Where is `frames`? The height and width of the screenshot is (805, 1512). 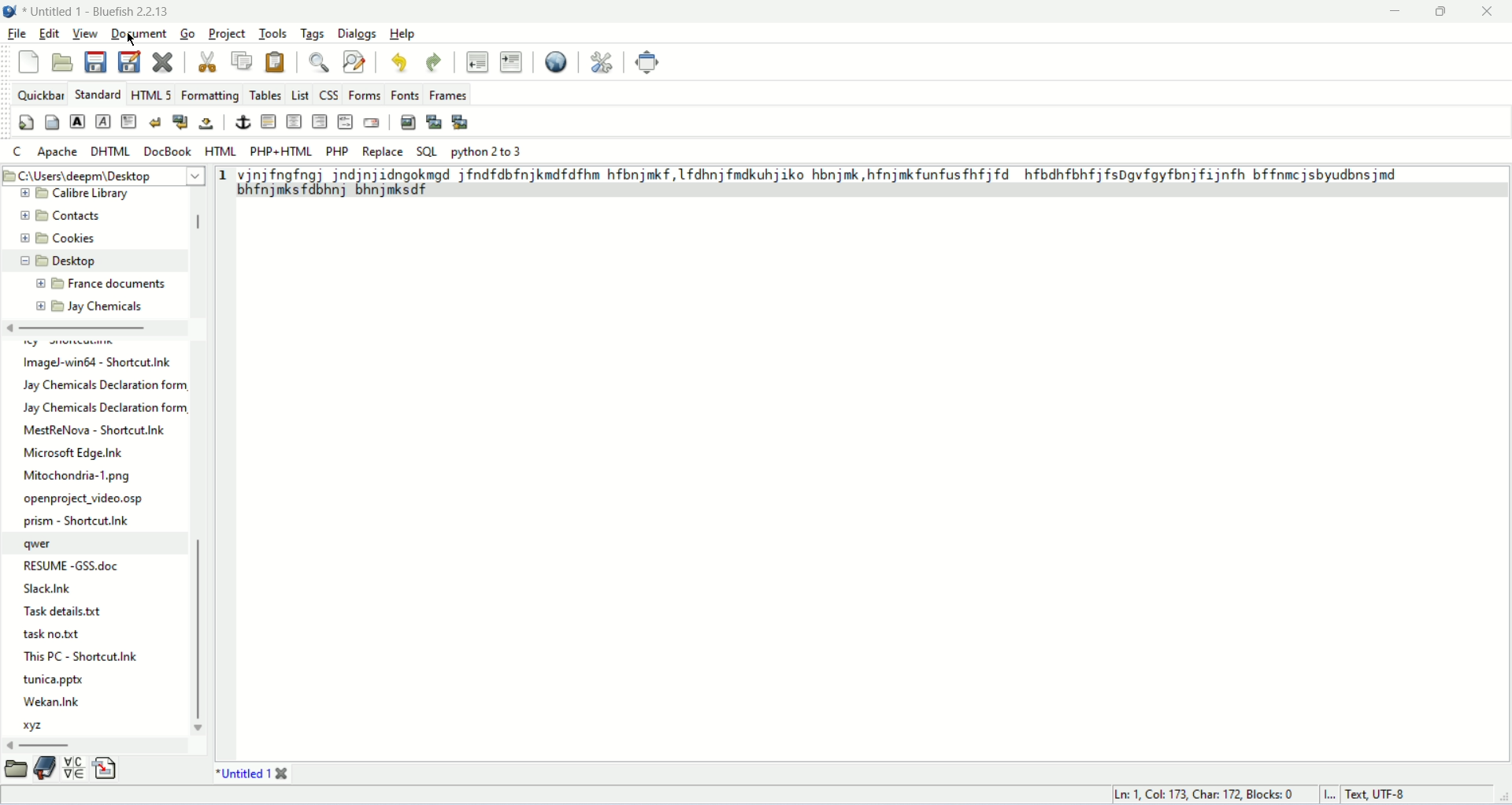 frames is located at coordinates (448, 96).